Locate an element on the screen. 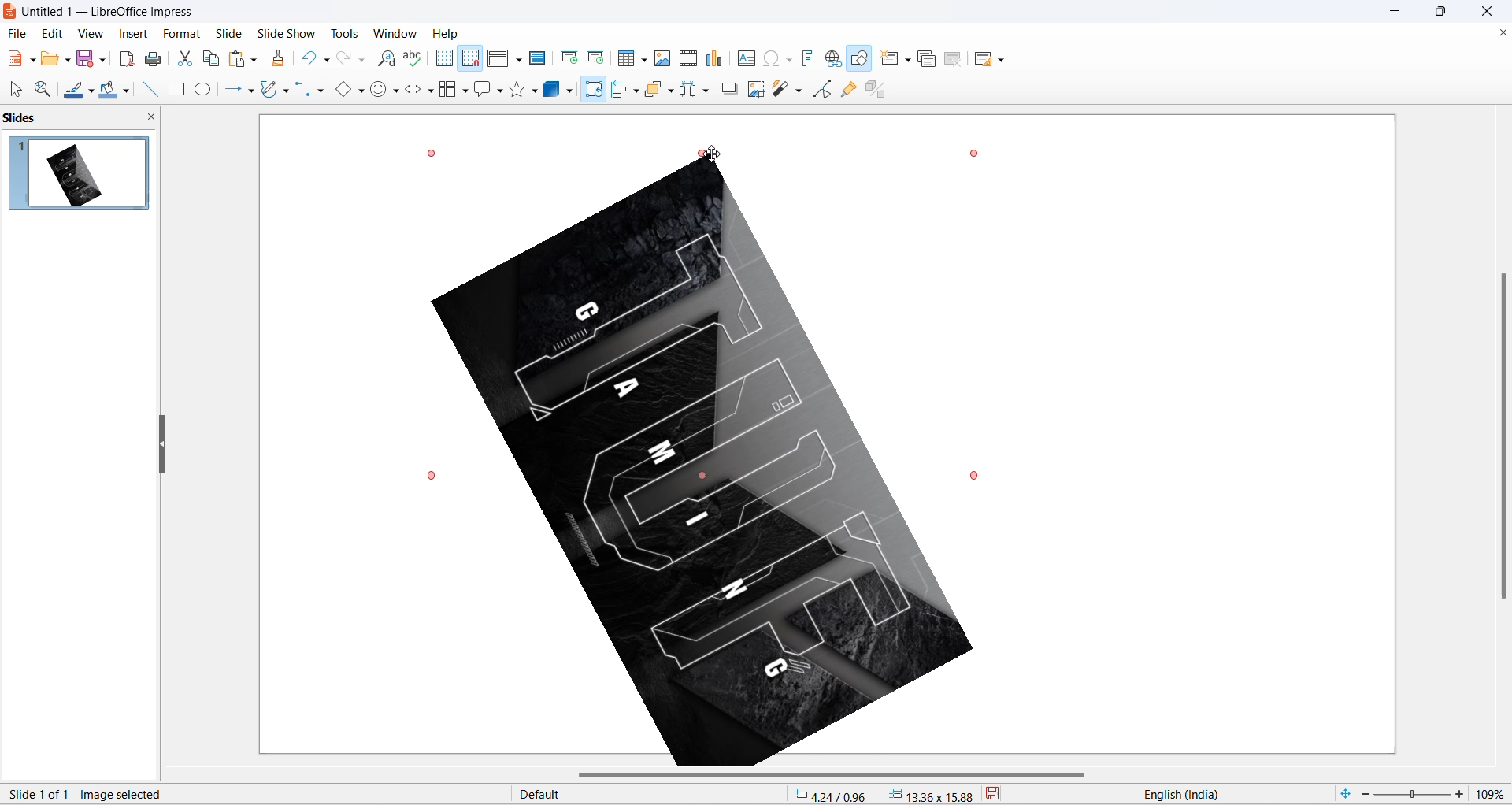 The width and height of the screenshot is (1512, 805). slide show is located at coordinates (289, 32).